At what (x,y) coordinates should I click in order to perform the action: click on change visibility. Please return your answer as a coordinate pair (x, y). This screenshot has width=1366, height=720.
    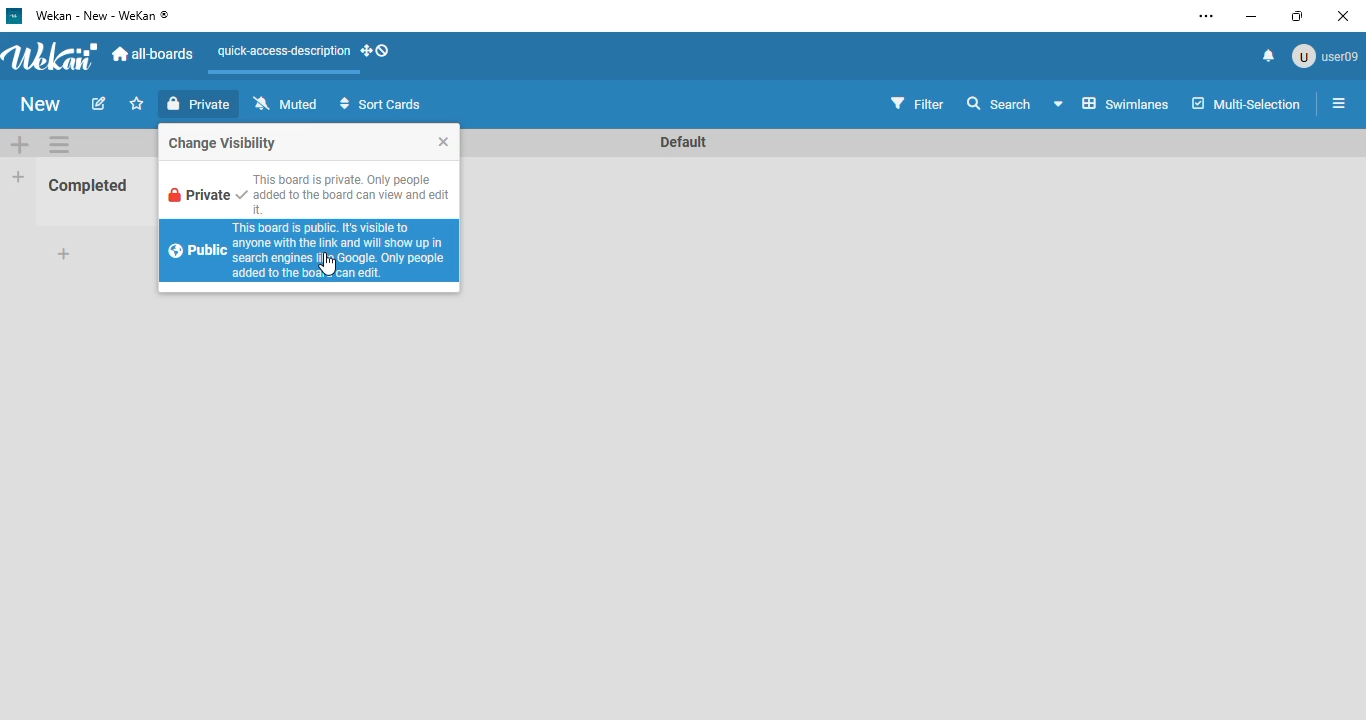
    Looking at the image, I should click on (222, 142).